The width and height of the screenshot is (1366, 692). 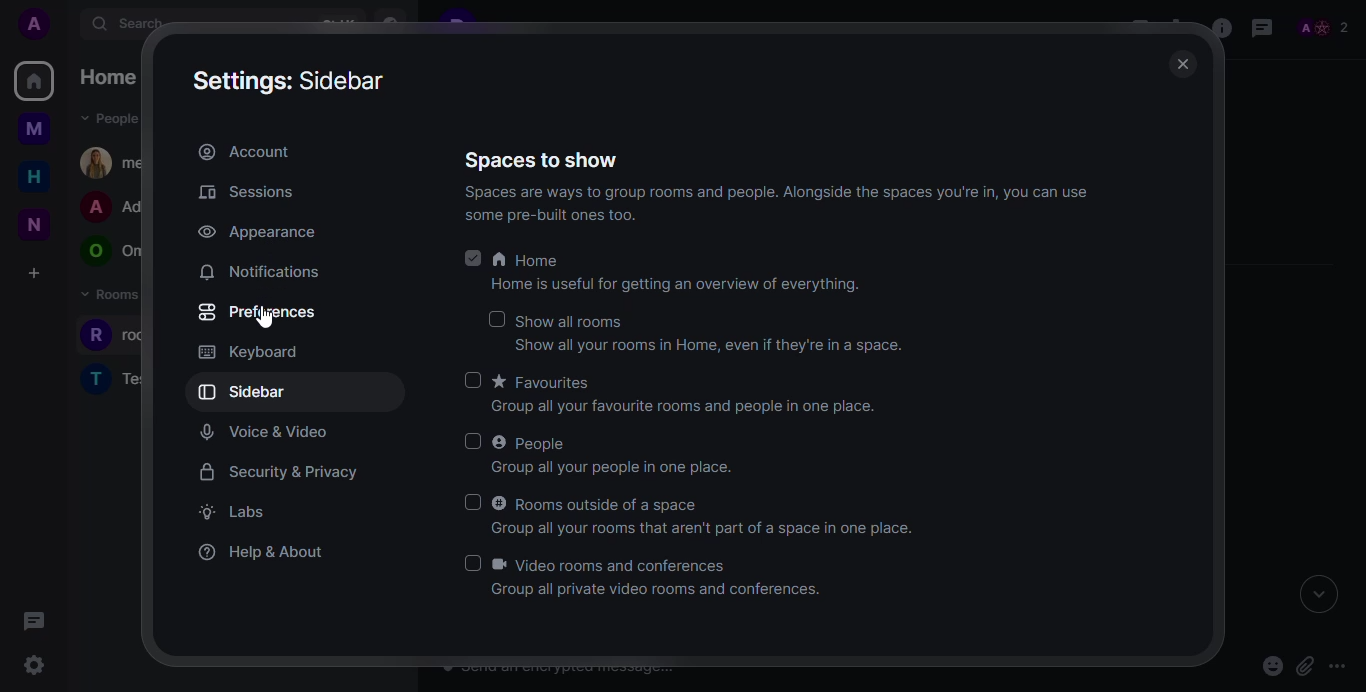 I want to click on rooms outside of a spce, so click(x=599, y=501).